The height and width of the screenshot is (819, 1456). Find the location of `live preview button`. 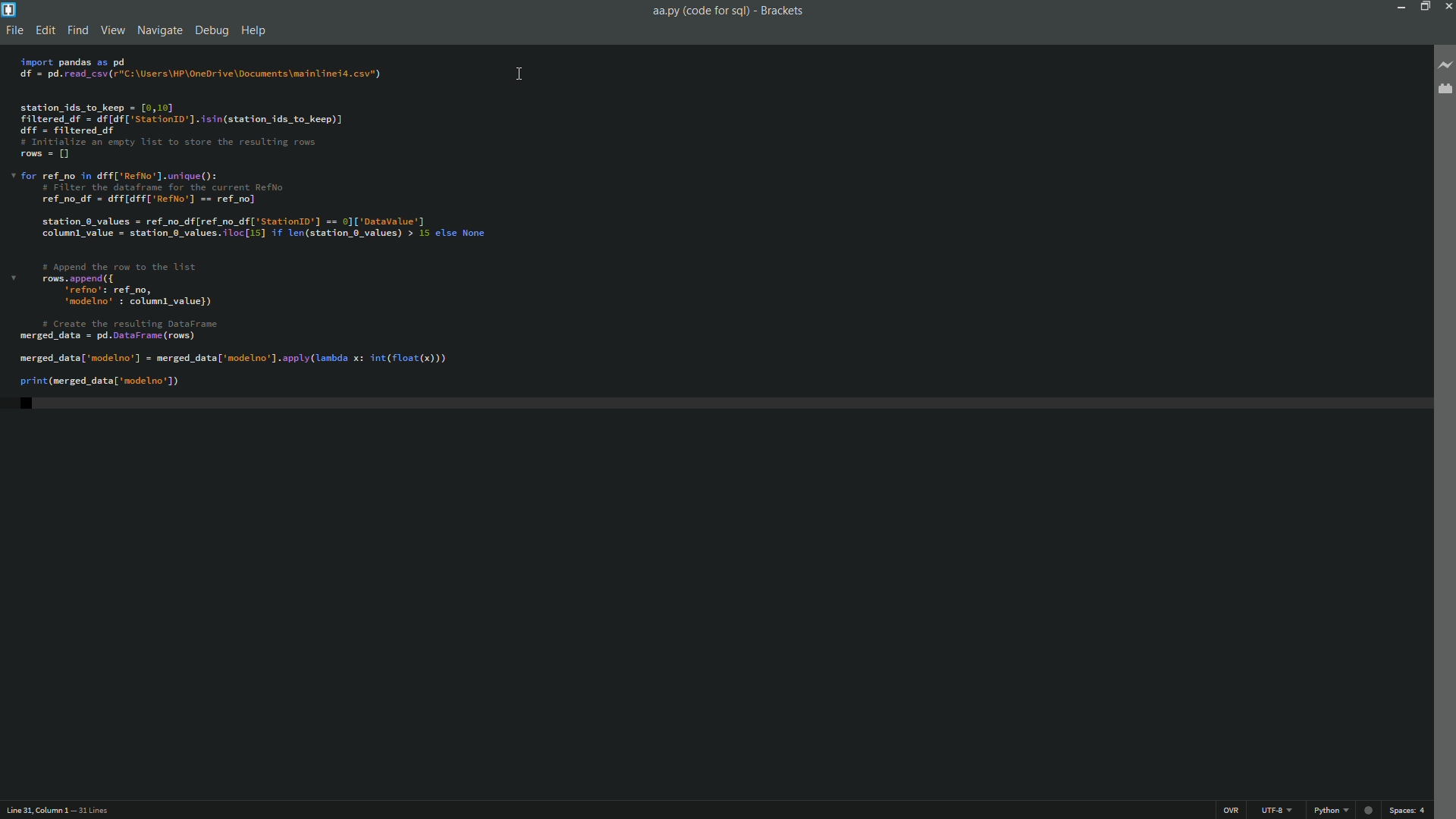

live preview button is located at coordinates (1445, 65).